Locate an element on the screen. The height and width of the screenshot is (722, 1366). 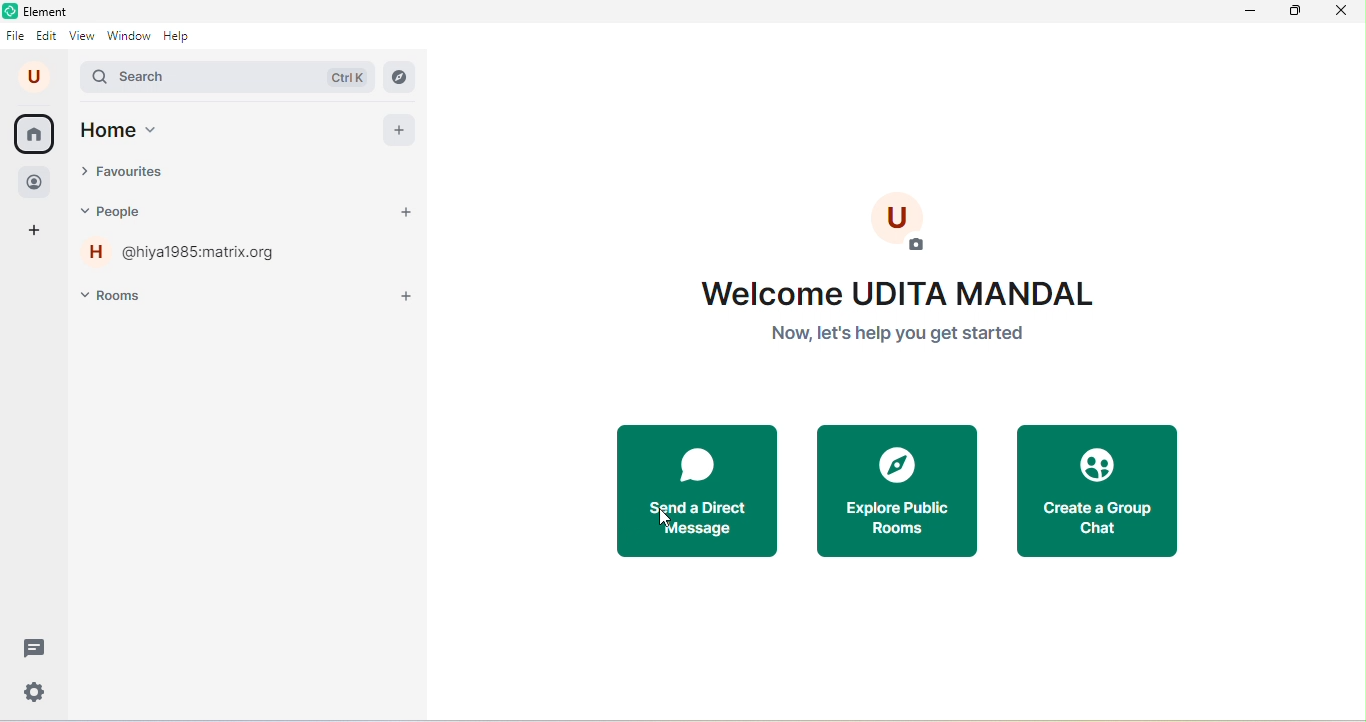
close is located at coordinates (1341, 13).